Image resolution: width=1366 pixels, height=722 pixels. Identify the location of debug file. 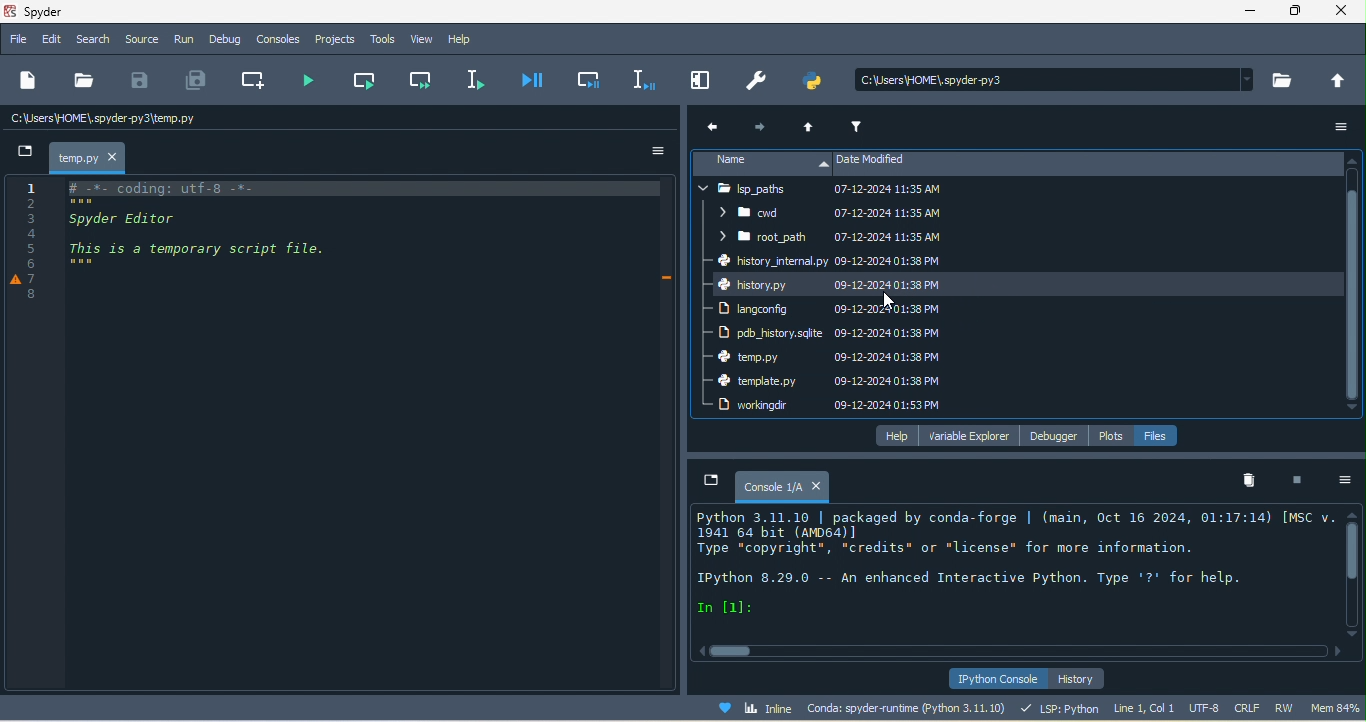
(530, 77).